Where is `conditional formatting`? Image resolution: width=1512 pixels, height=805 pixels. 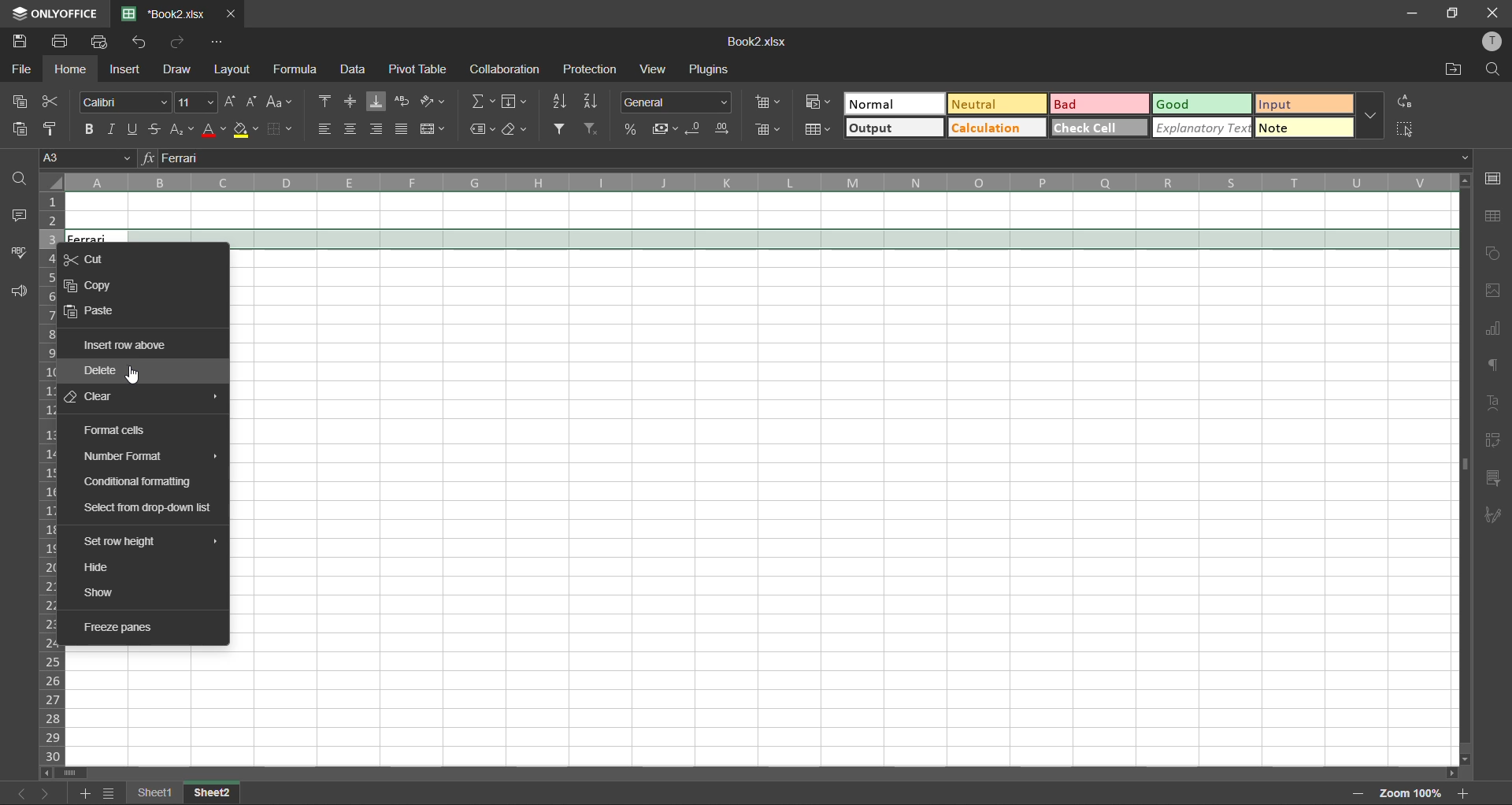
conditional formatting is located at coordinates (816, 101).